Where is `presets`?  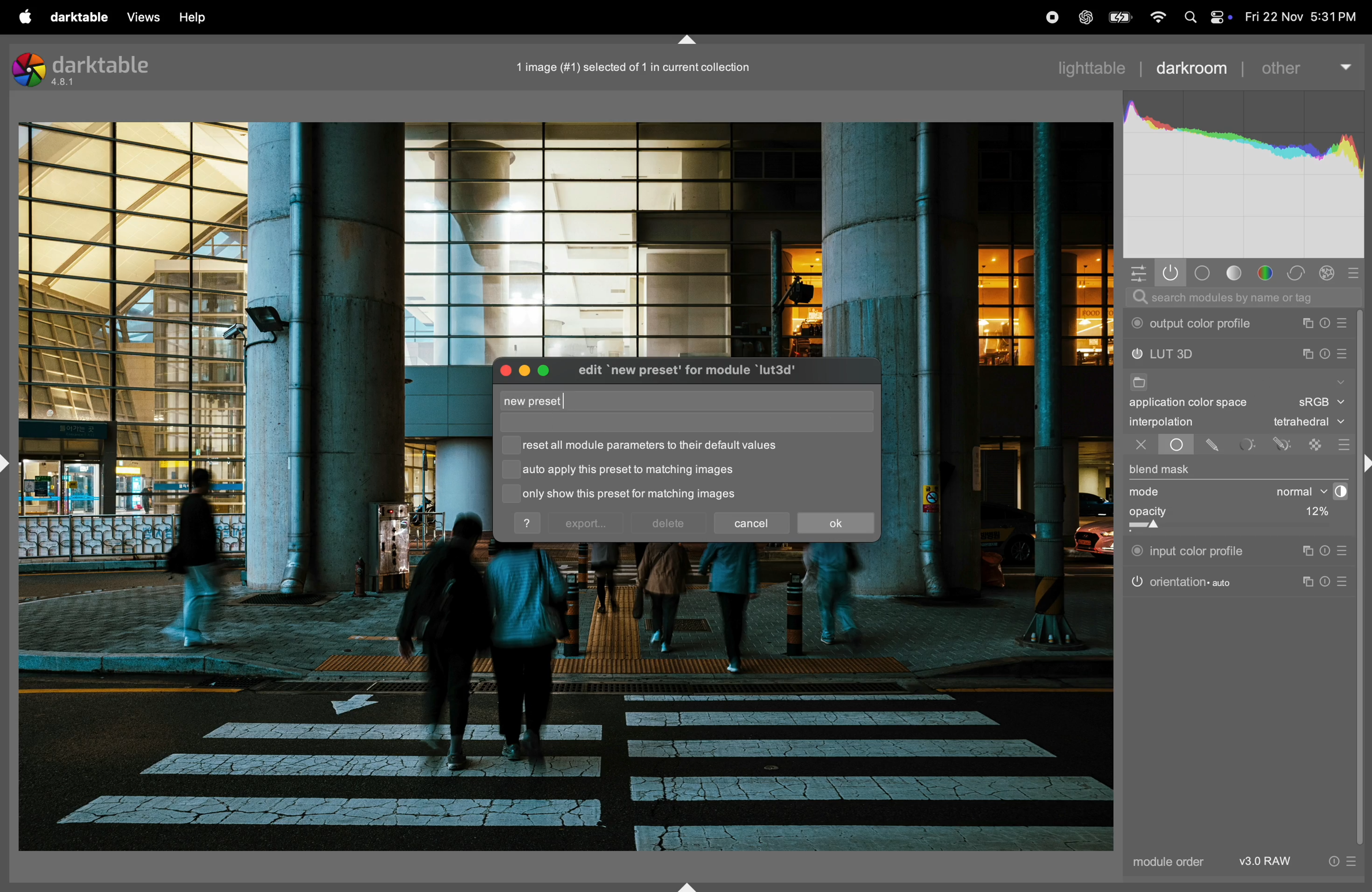
presets is located at coordinates (1346, 582).